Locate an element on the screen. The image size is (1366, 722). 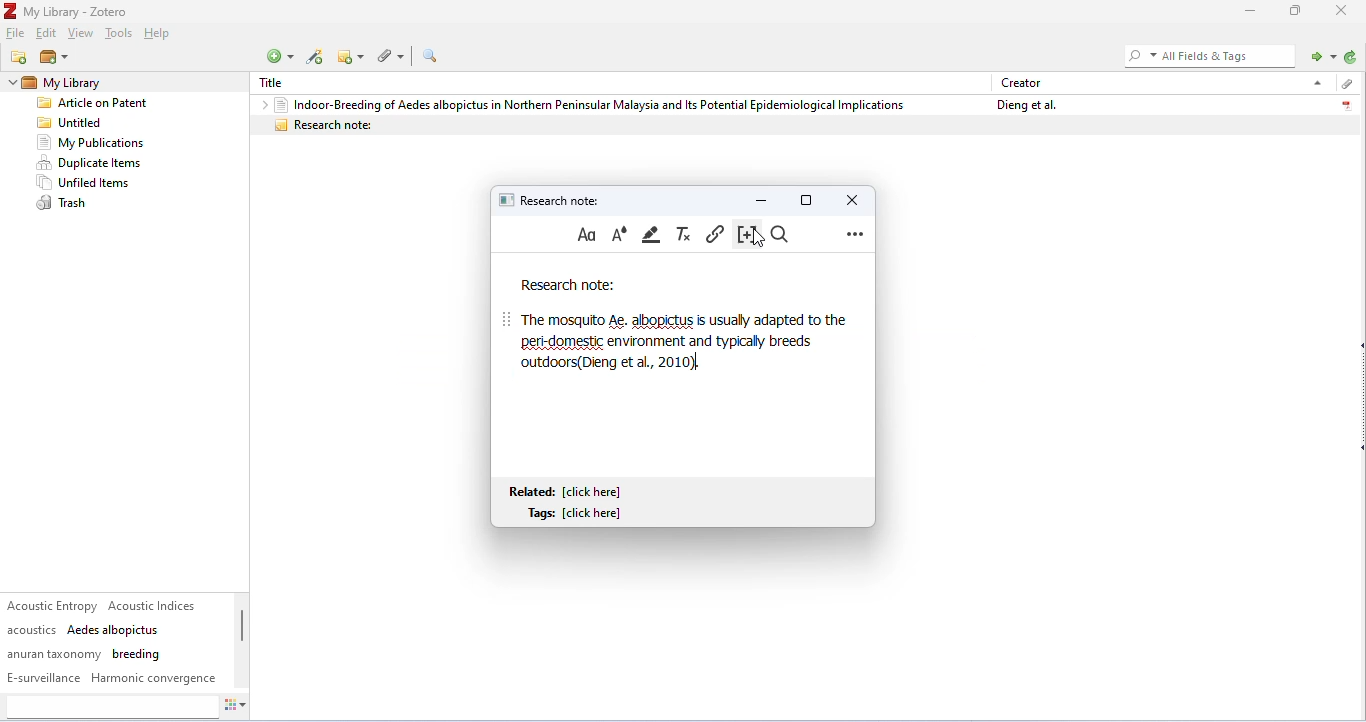
file is located at coordinates (17, 34).